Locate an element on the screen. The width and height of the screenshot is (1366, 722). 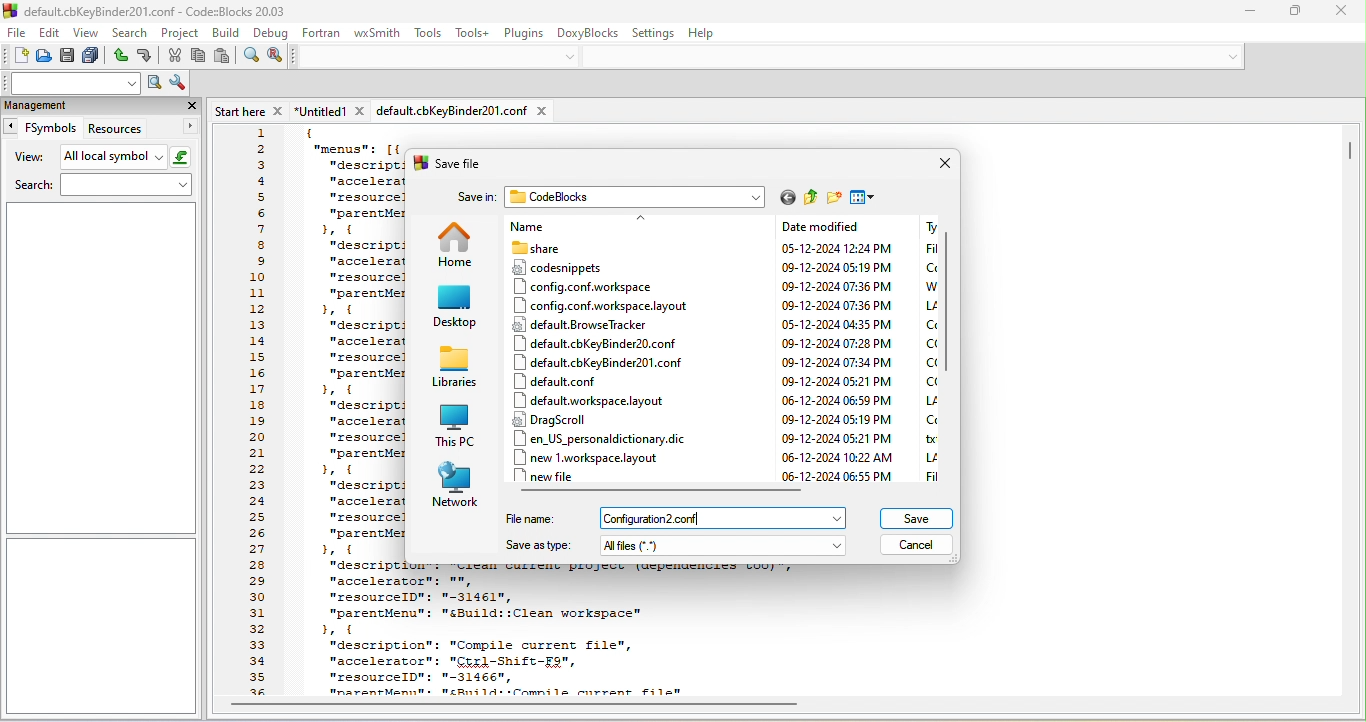
all local symbol is located at coordinates (127, 158).